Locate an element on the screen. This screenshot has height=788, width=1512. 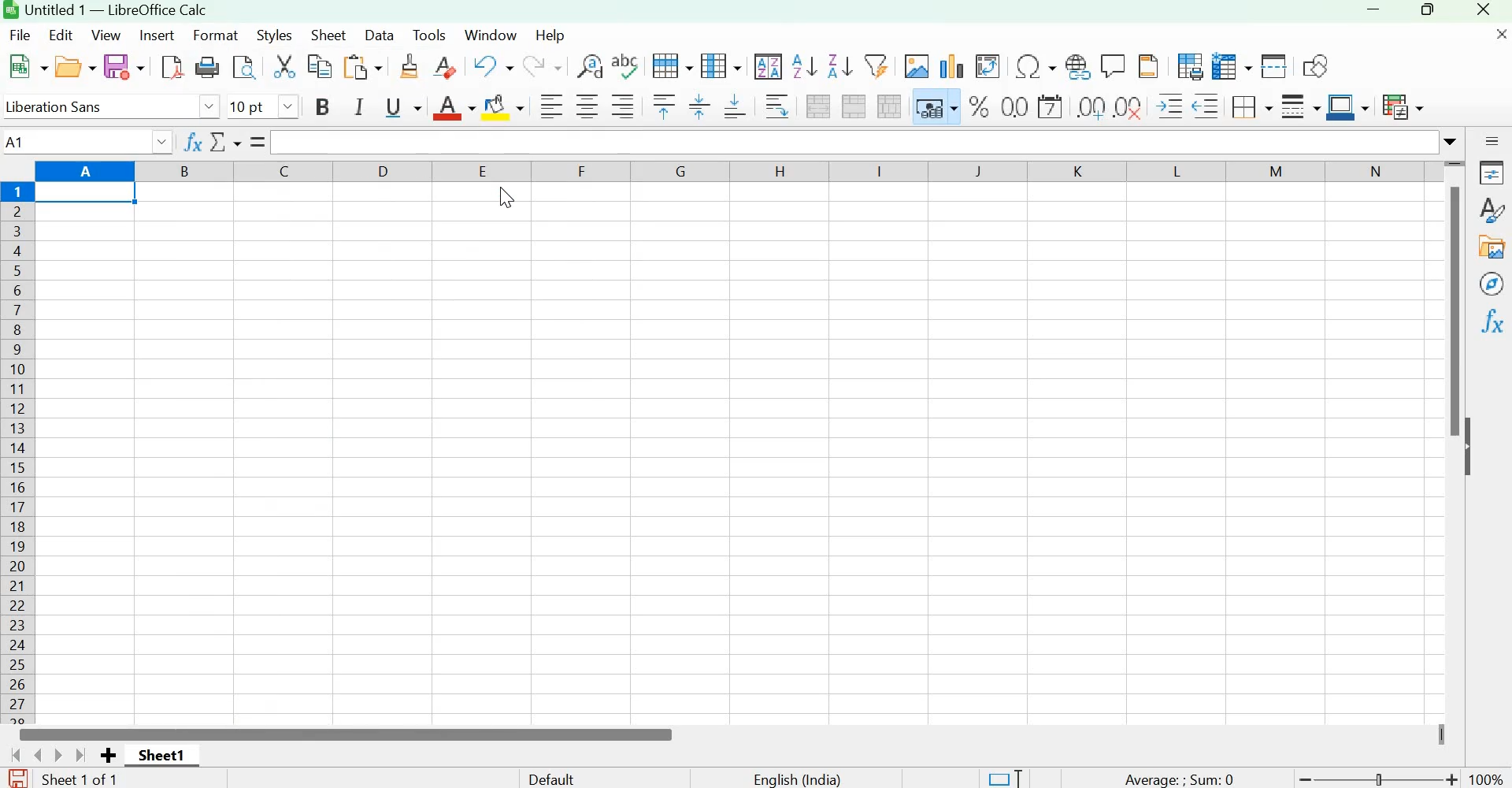
toggle is located at coordinates (1383, 777).